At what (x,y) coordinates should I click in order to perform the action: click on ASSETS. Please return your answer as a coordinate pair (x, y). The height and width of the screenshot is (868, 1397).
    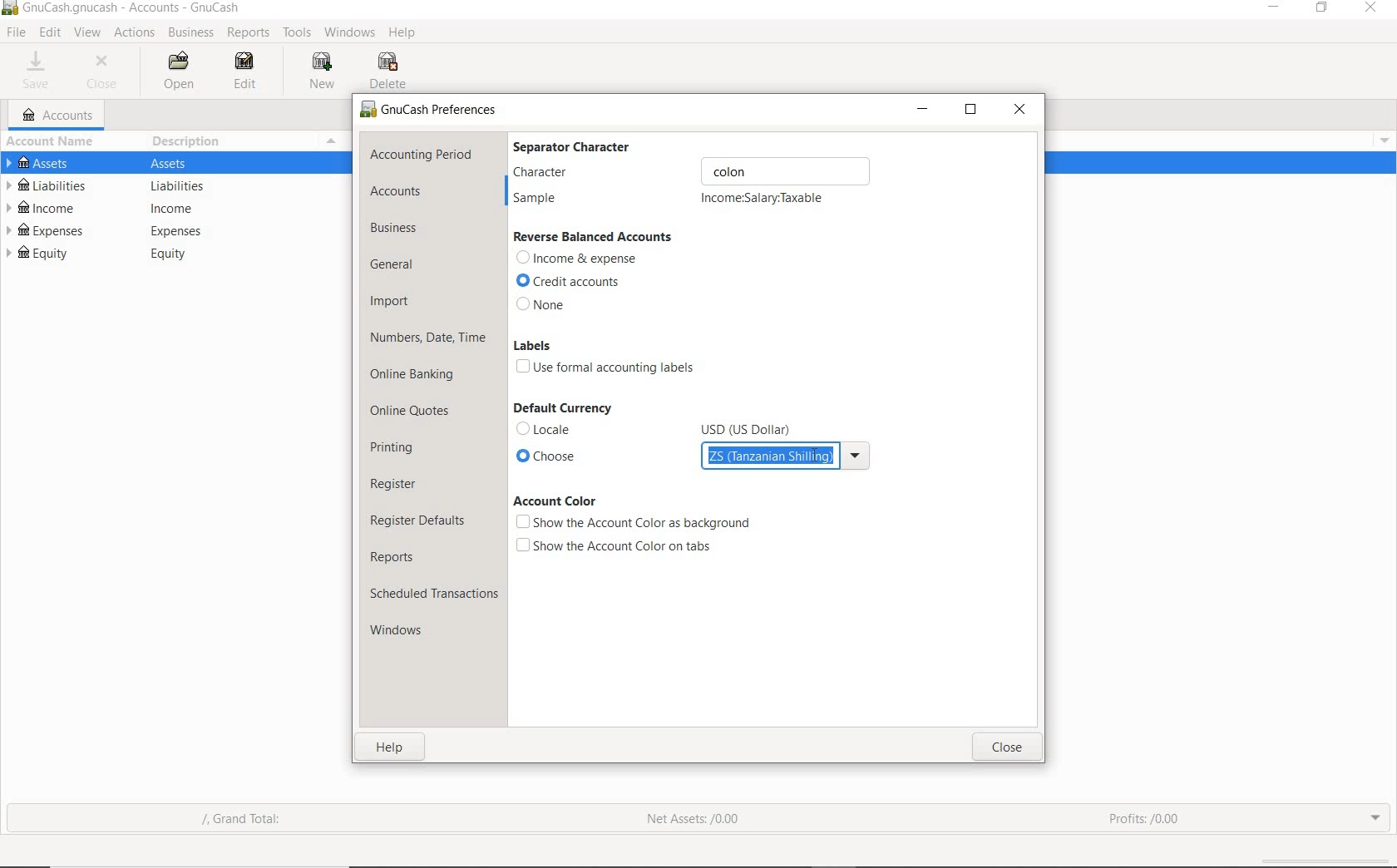
    Looking at the image, I should click on (60, 164).